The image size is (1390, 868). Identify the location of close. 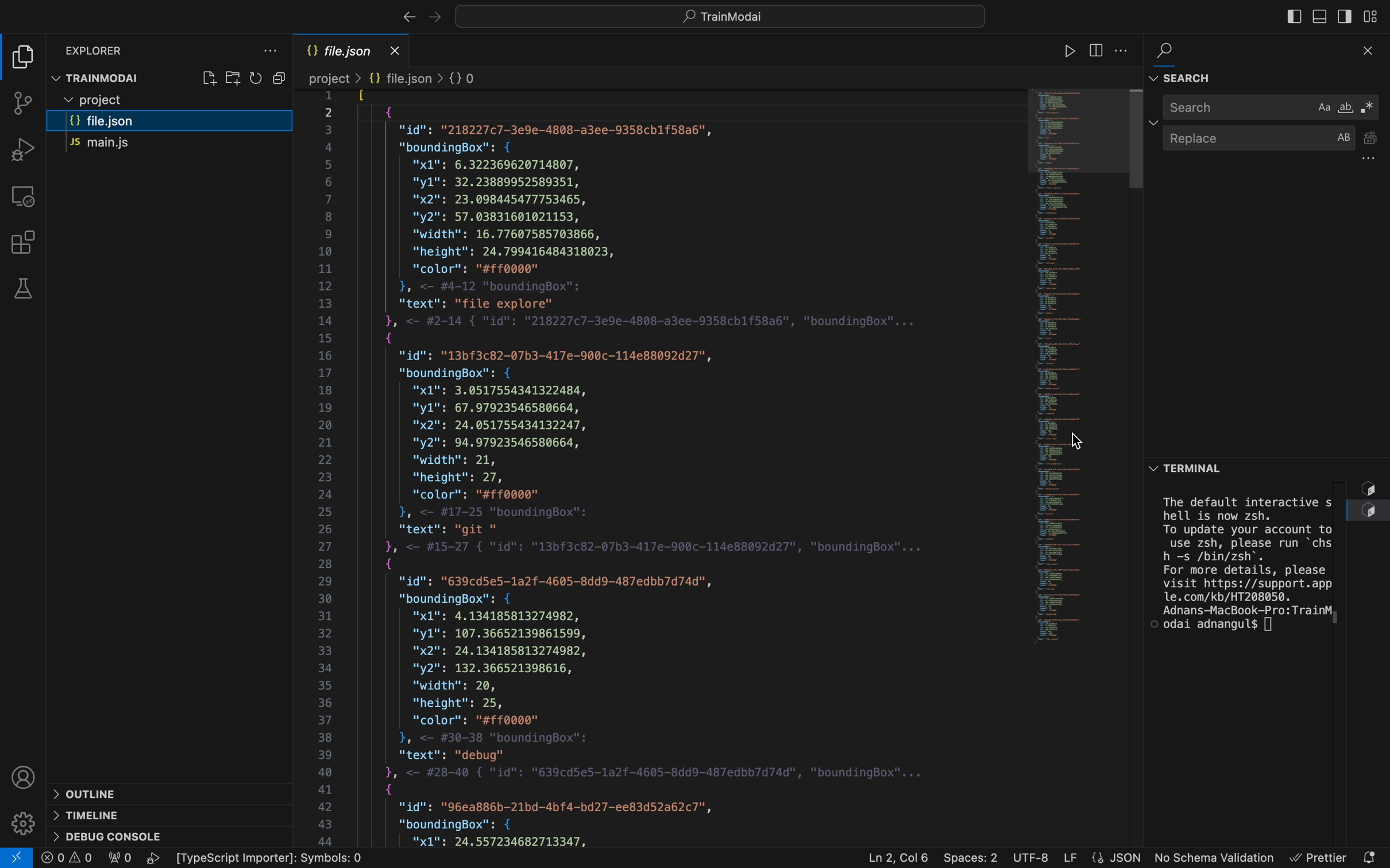
(1356, 48).